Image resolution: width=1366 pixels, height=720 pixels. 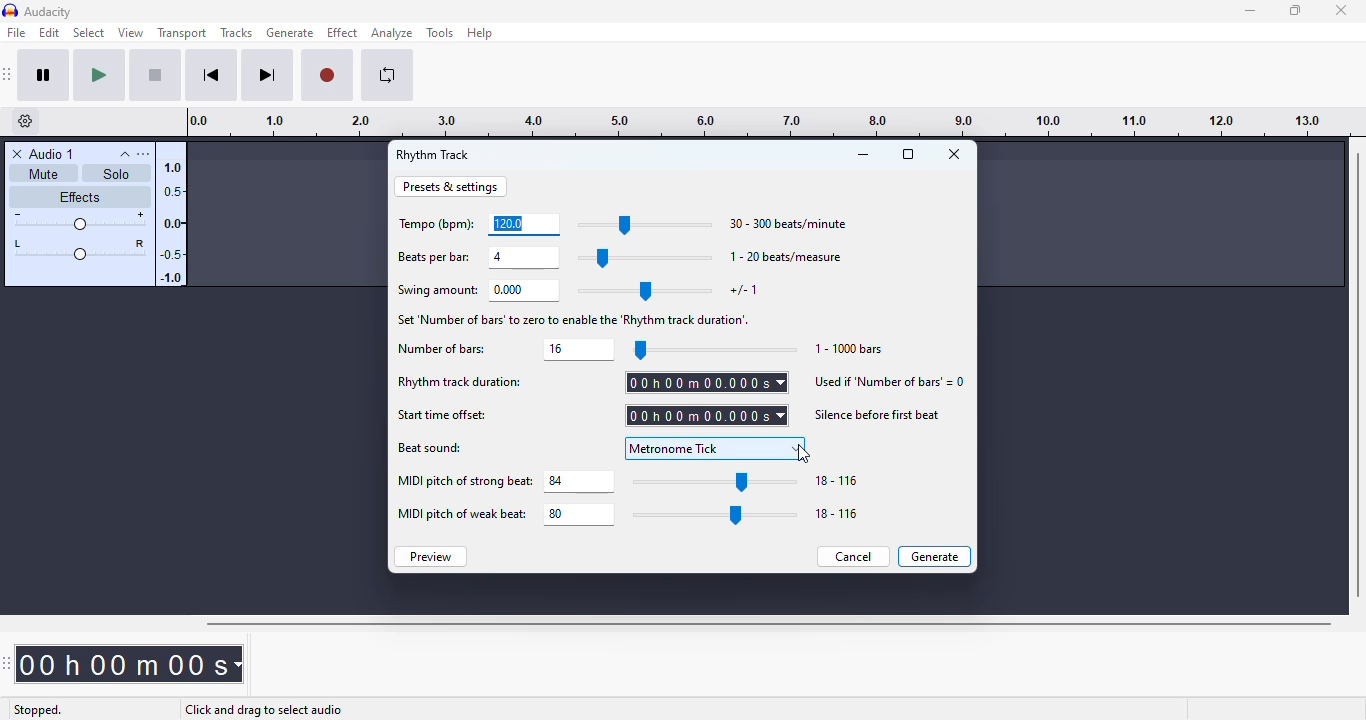 I want to click on generate, so click(x=291, y=32).